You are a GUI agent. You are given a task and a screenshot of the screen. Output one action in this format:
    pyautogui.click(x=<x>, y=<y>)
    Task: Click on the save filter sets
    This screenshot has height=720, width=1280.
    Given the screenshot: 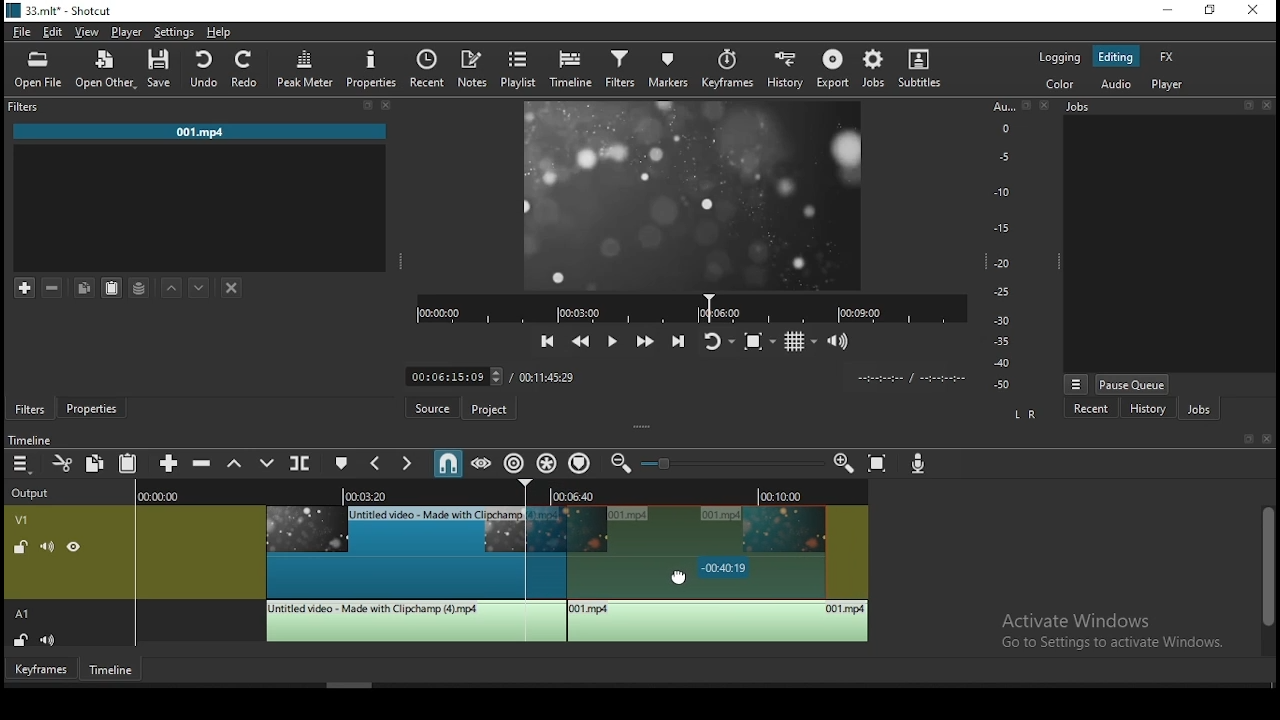 What is the action you would take?
    pyautogui.click(x=143, y=290)
    